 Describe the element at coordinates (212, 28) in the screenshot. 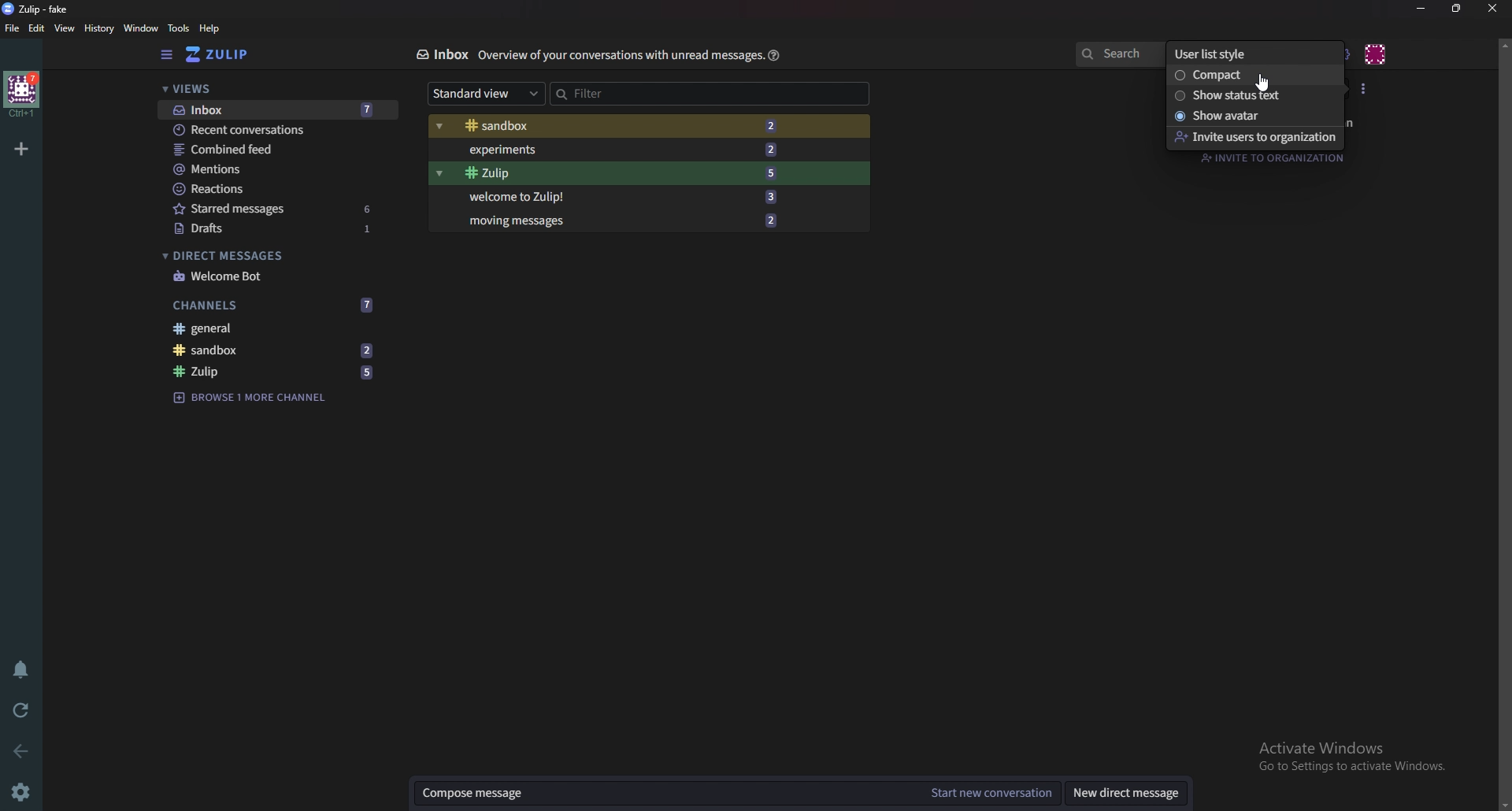

I see `help` at that location.